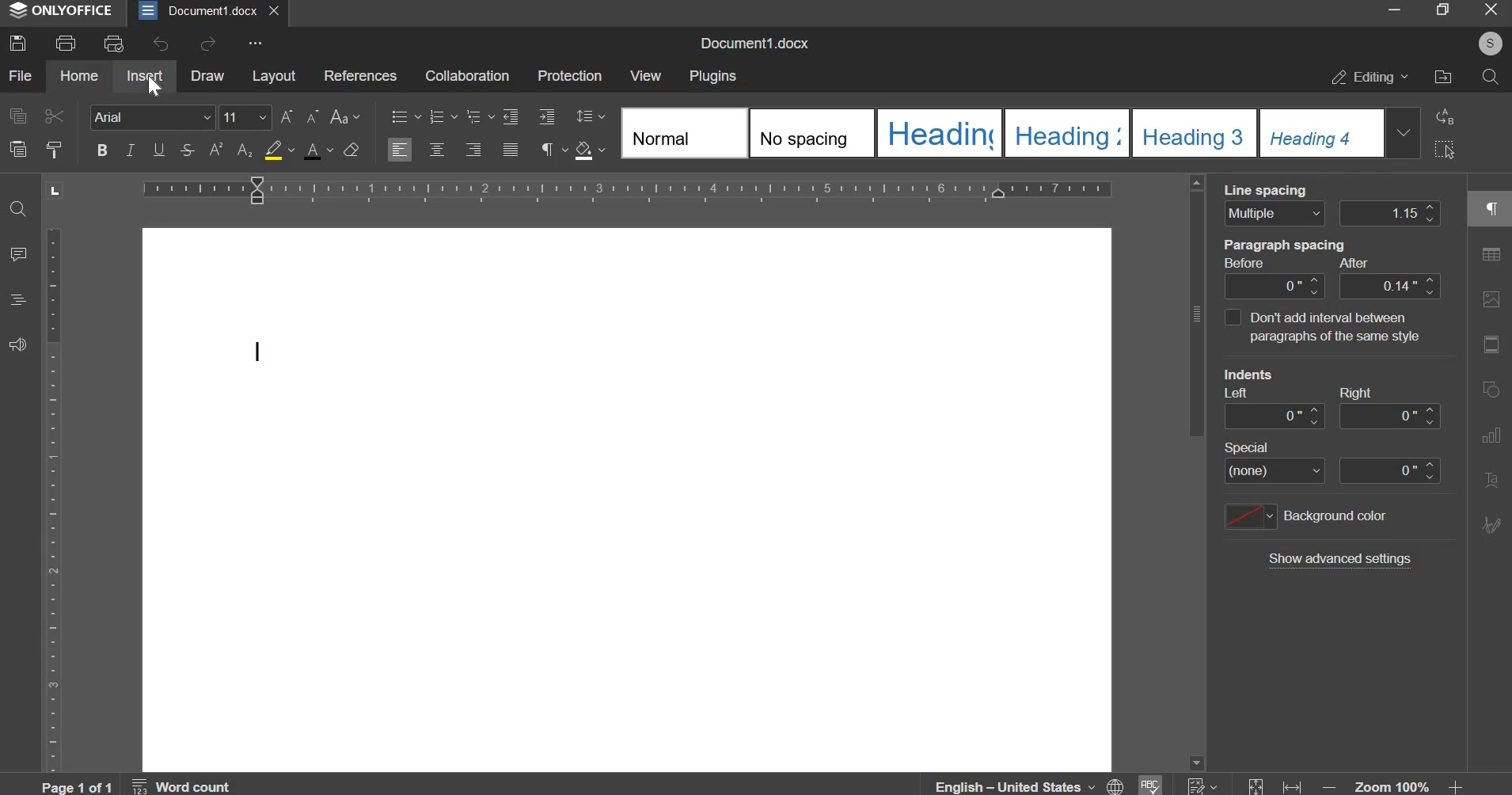  Describe the element at coordinates (1491, 77) in the screenshot. I see `search` at that location.